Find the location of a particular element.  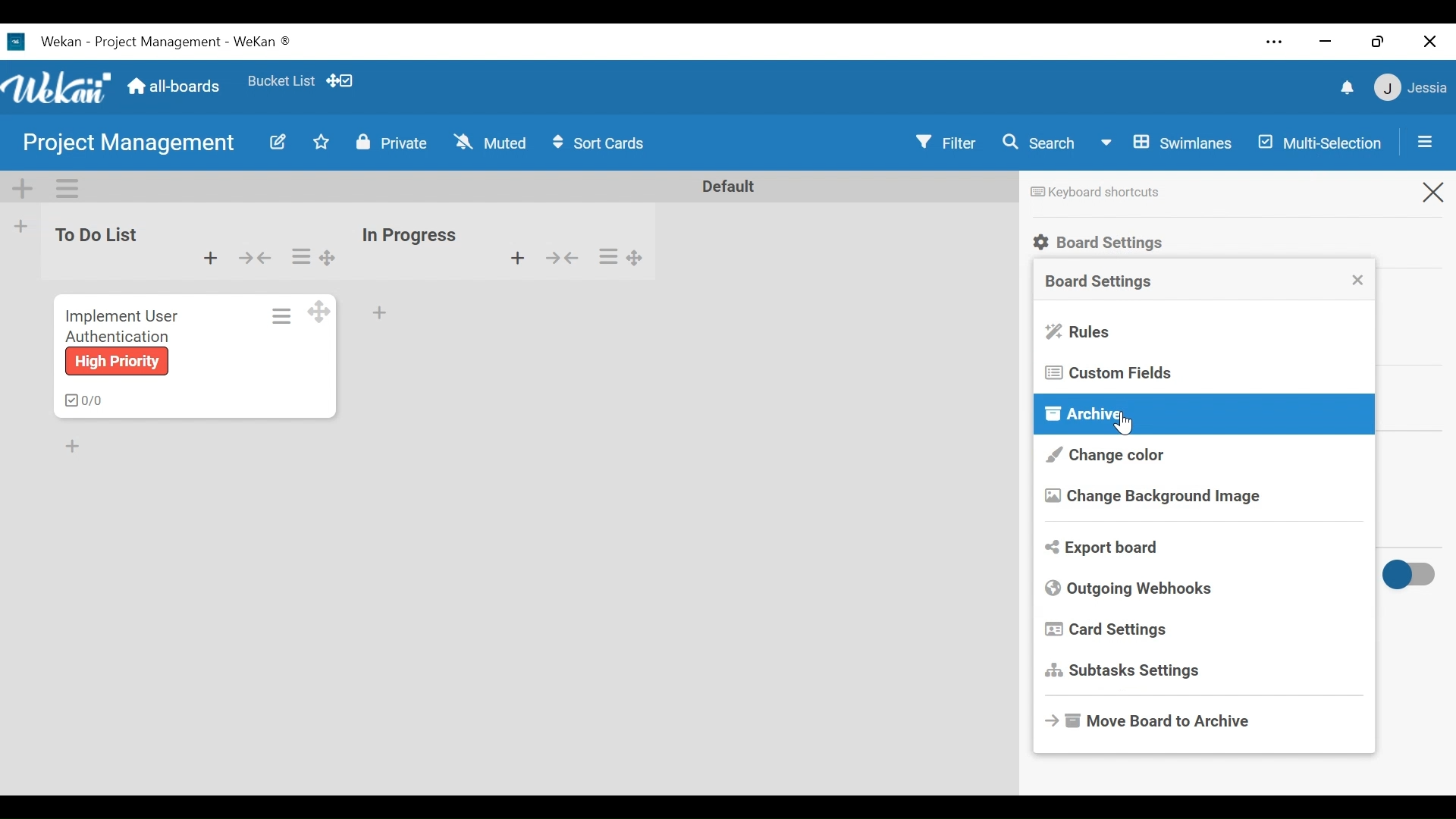

Desktop Drag handles is located at coordinates (318, 312).